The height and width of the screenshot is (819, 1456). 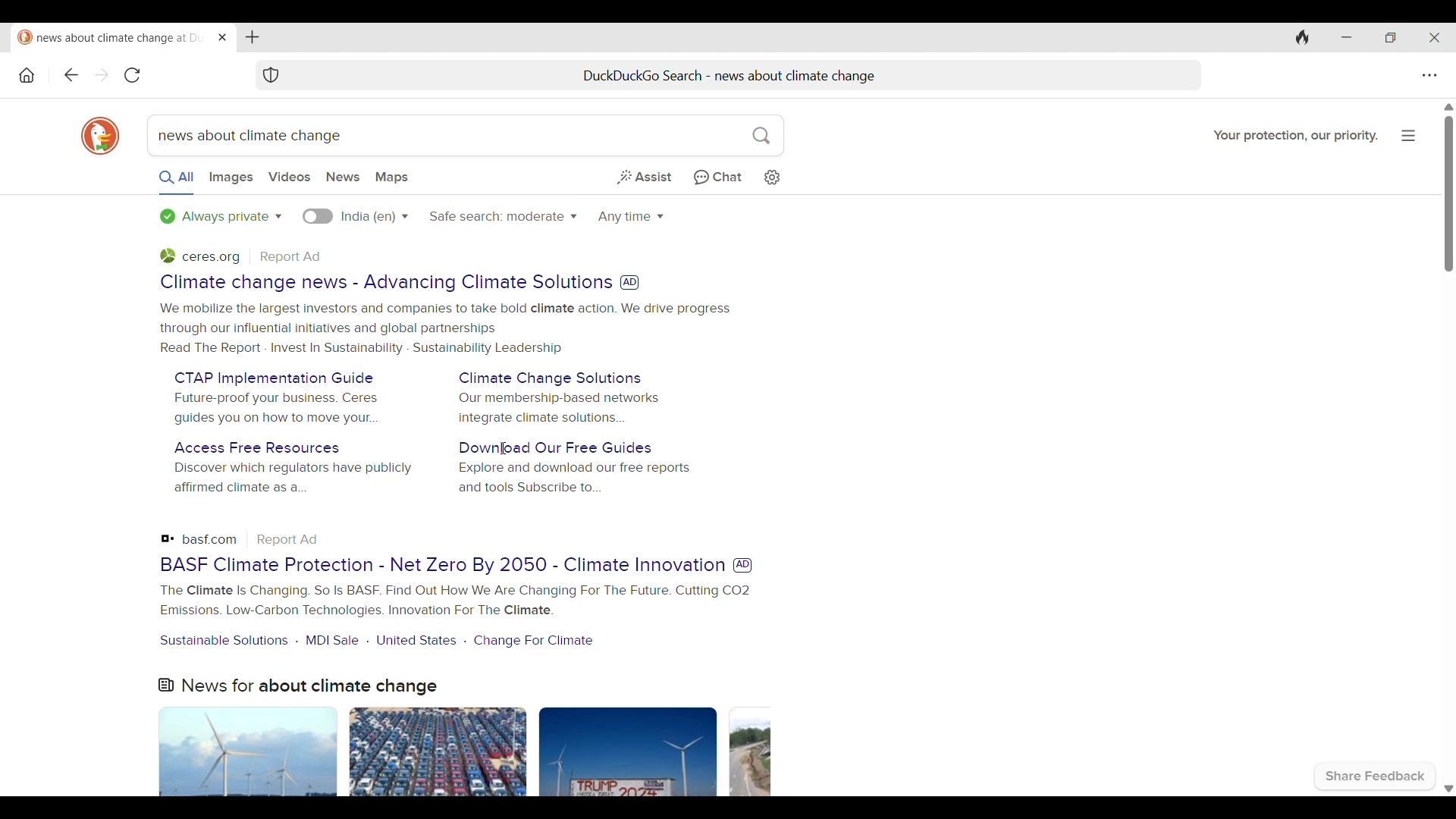 What do you see at coordinates (771, 177) in the screenshot?
I see `Change search settings` at bounding box center [771, 177].